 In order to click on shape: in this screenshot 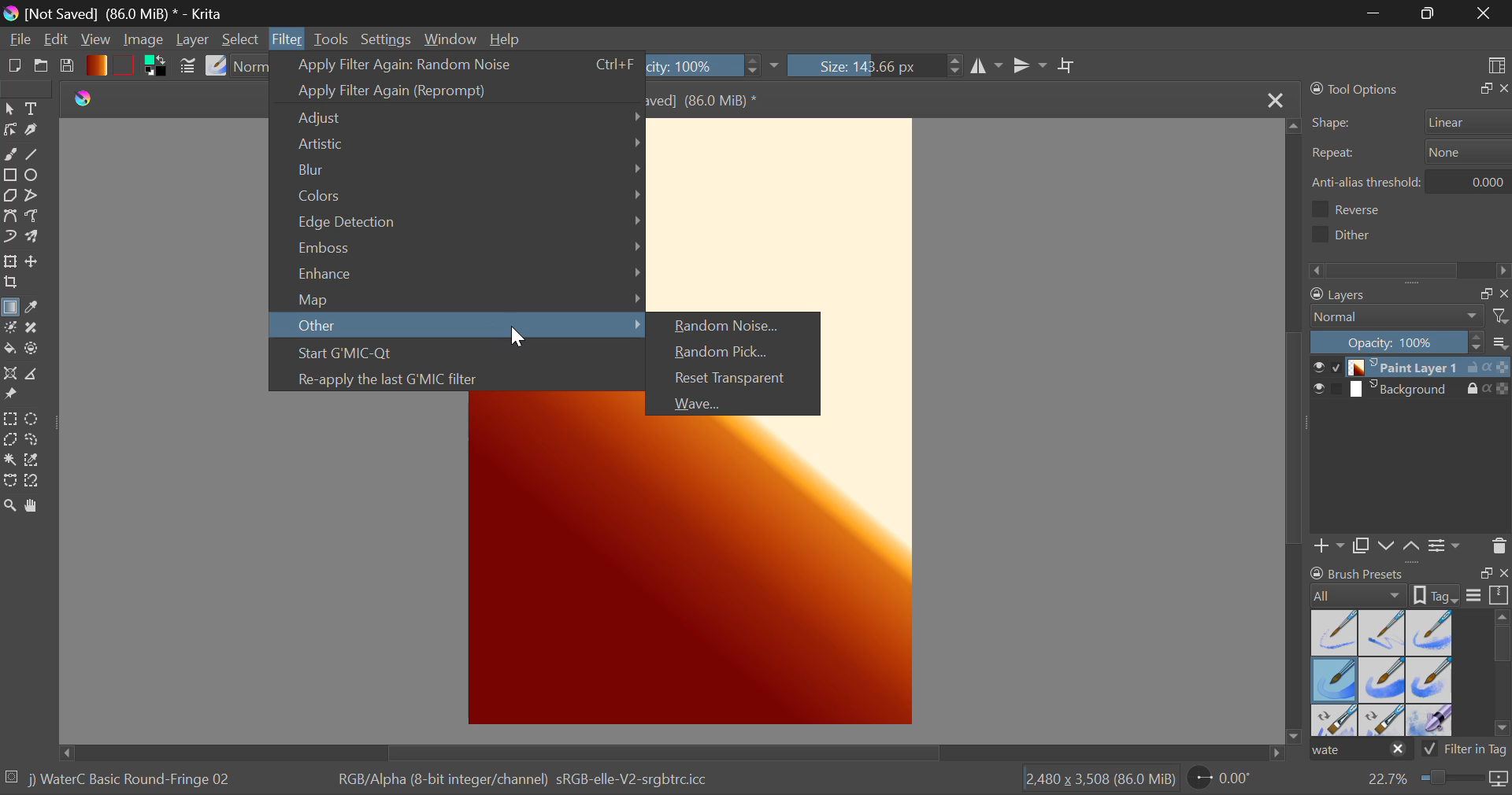, I will do `click(1333, 124)`.